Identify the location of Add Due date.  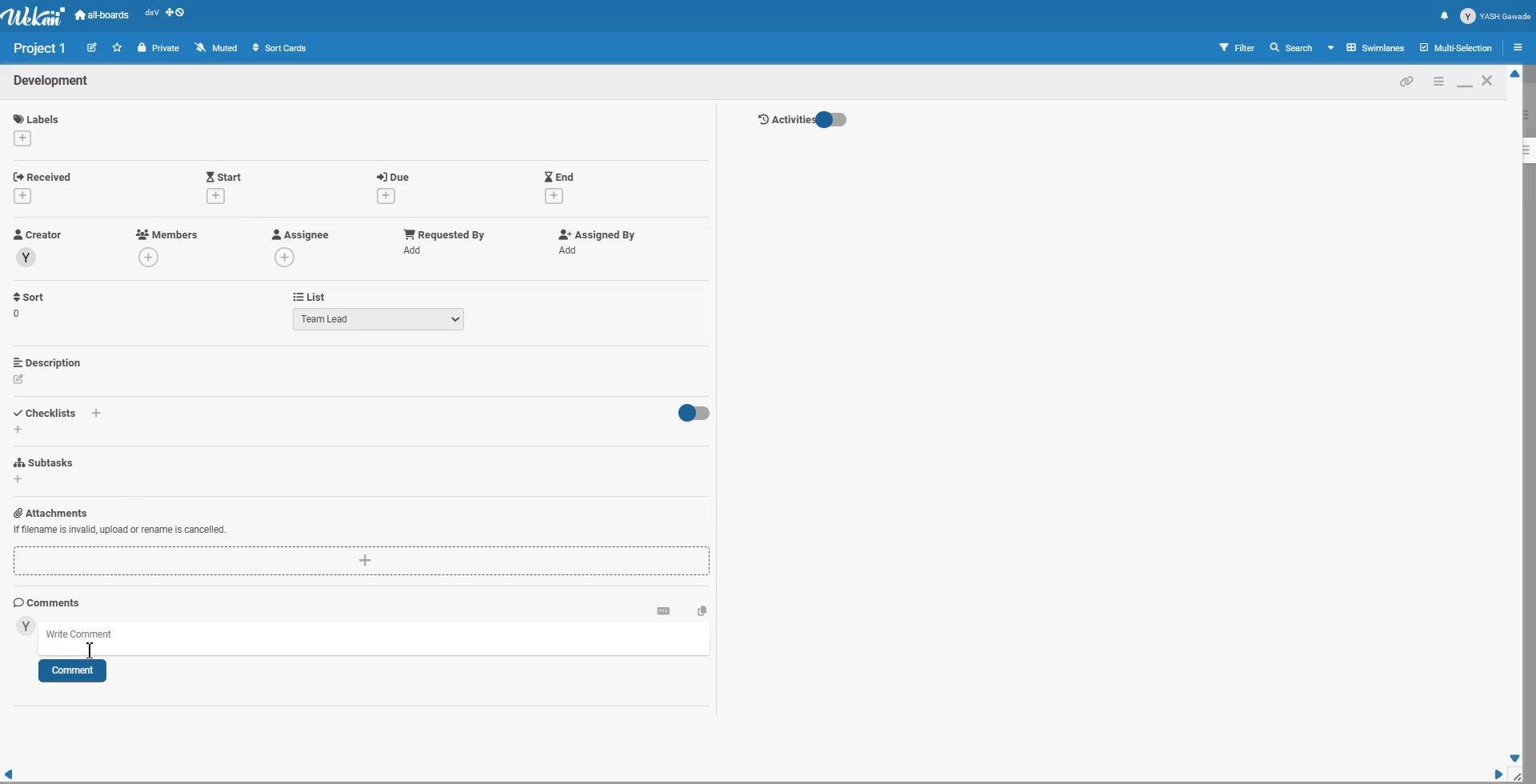
(395, 174).